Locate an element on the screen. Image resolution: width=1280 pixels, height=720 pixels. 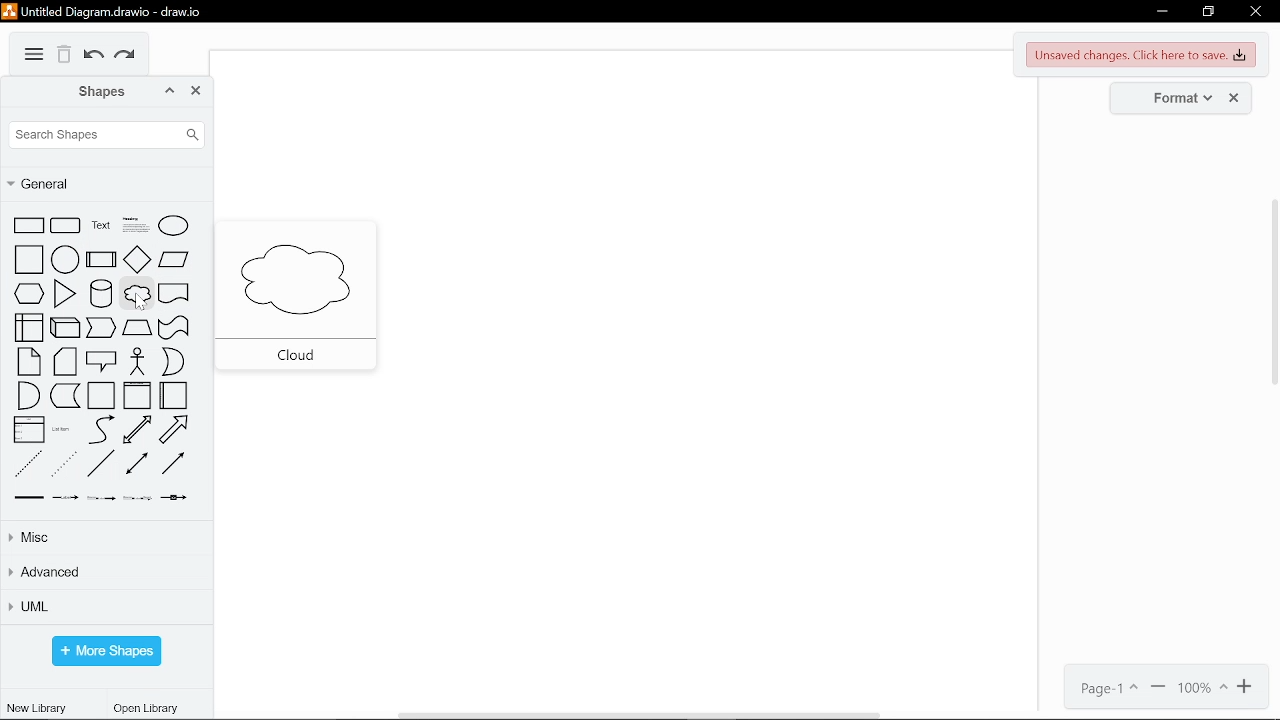
document is located at coordinates (174, 295).